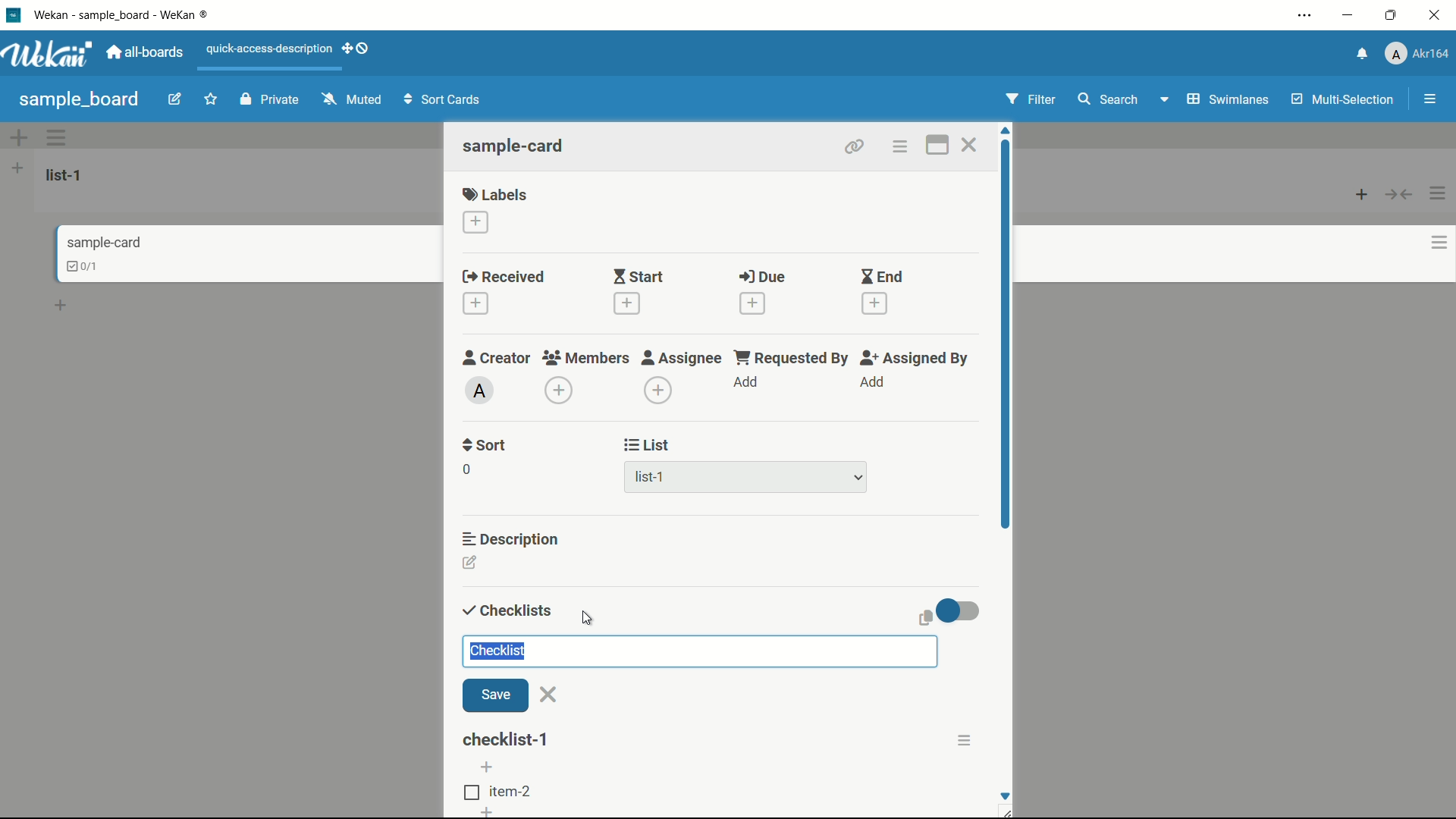 The height and width of the screenshot is (819, 1456). I want to click on add description, so click(471, 565).